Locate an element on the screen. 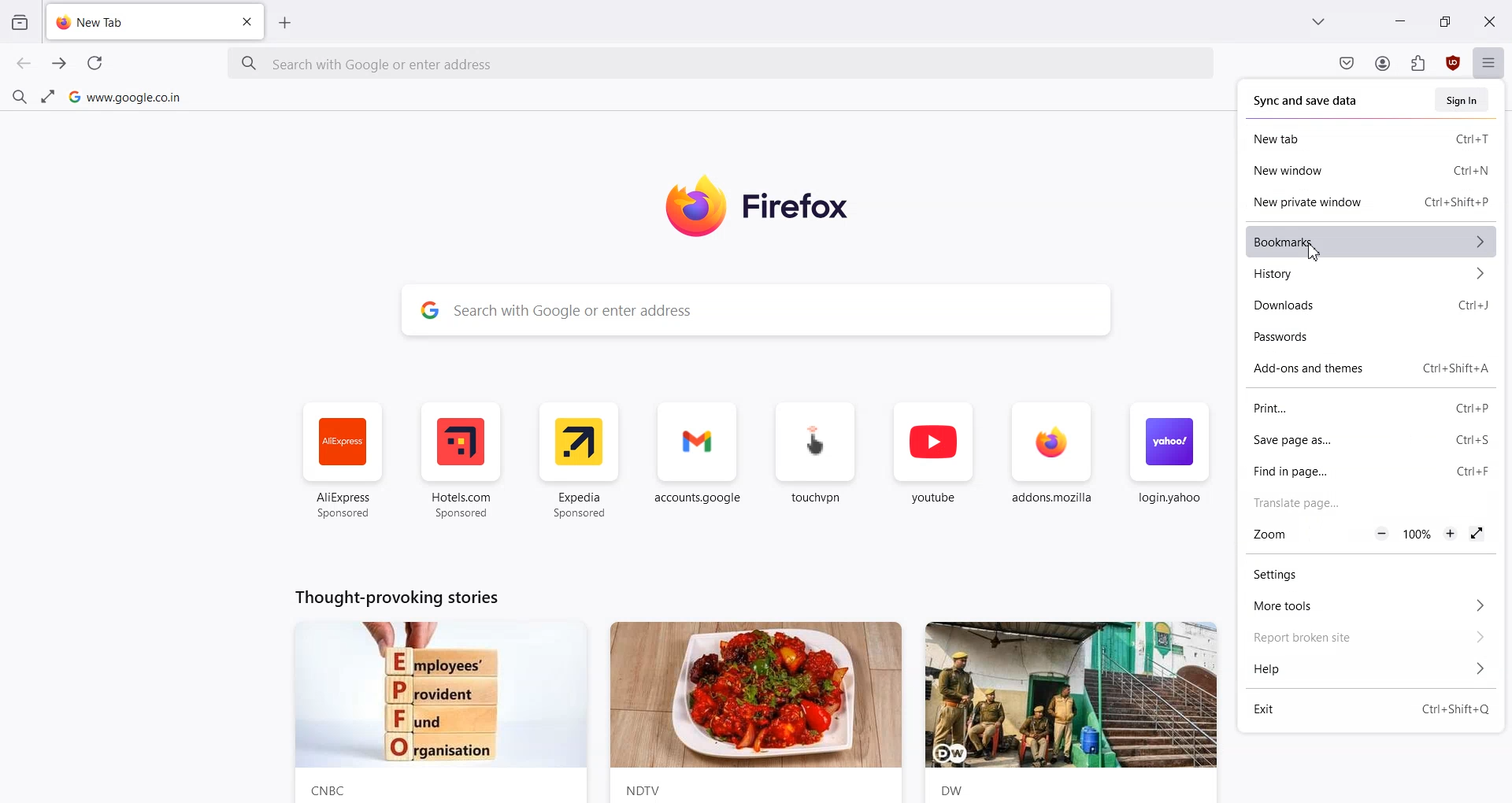 This screenshot has width=1512, height=803. More tools is located at coordinates (1371, 606).